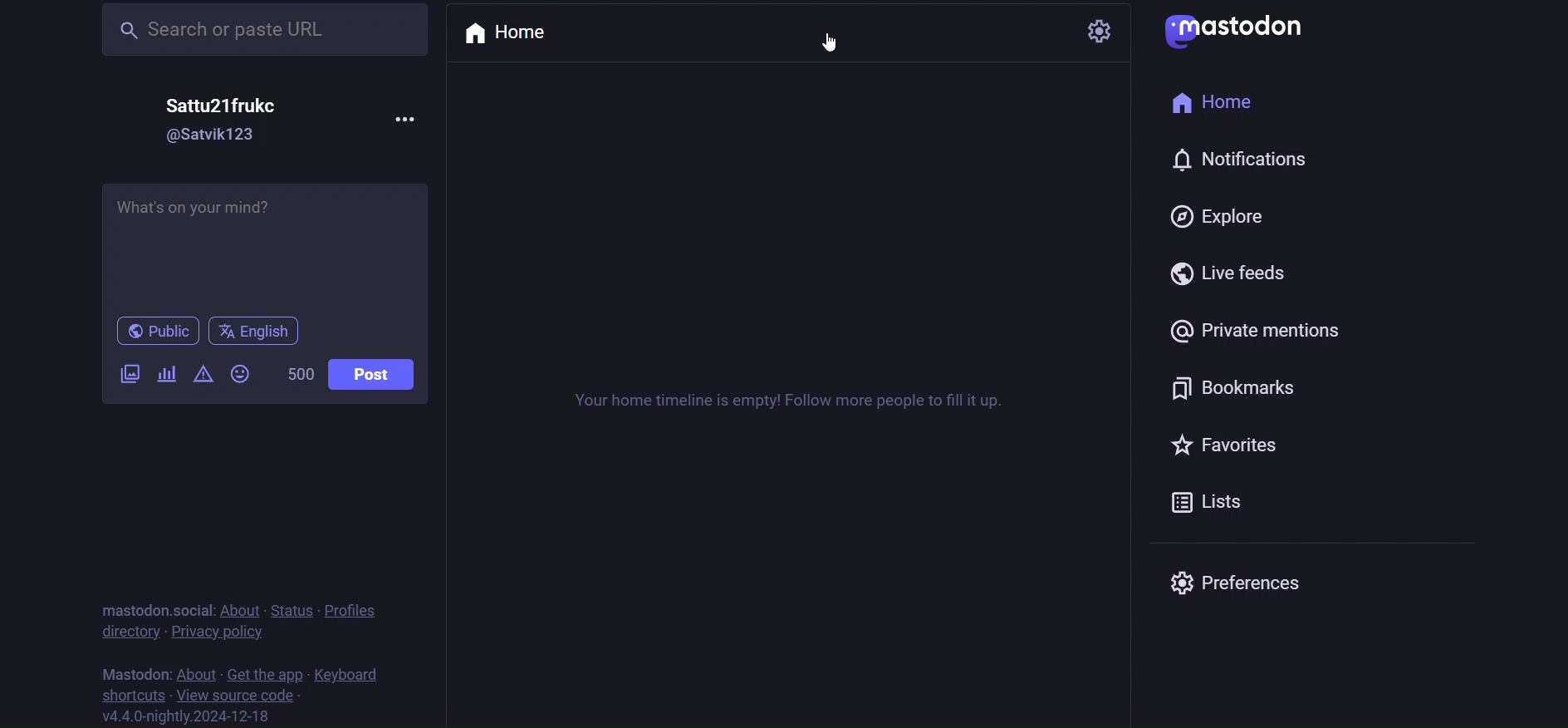  Describe the element at coordinates (1226, 442) in the screenshot. I see `favorites` at that location.